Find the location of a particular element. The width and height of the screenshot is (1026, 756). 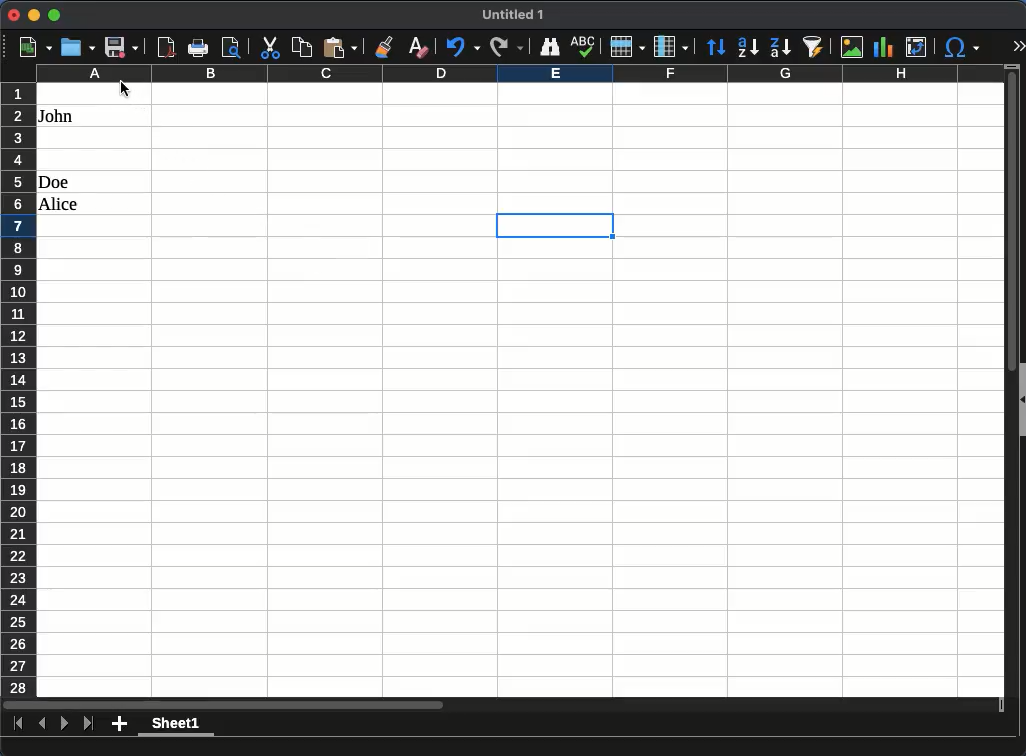

paste is located at coordinates (340, 47).